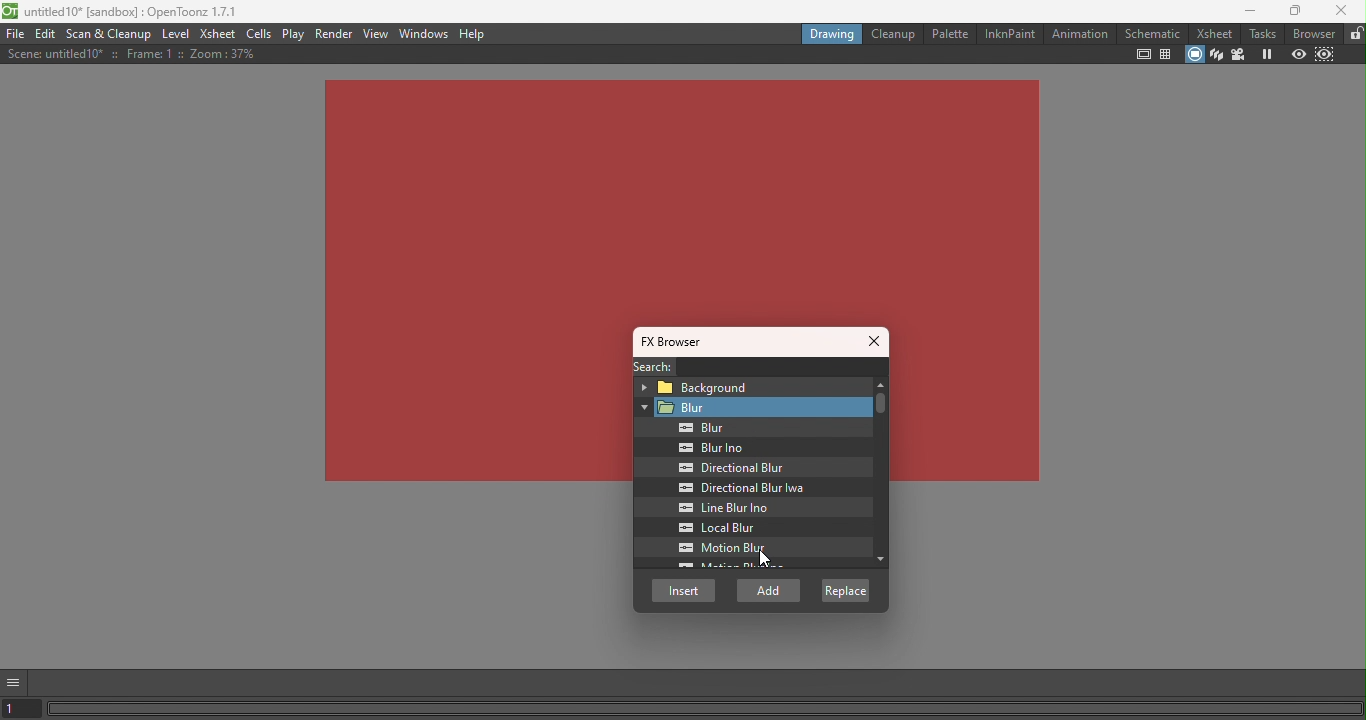  What do you see at coordinates (730, 508) in the screenshot?
I see `Line blur Ino` at bounding box center [730, 508].